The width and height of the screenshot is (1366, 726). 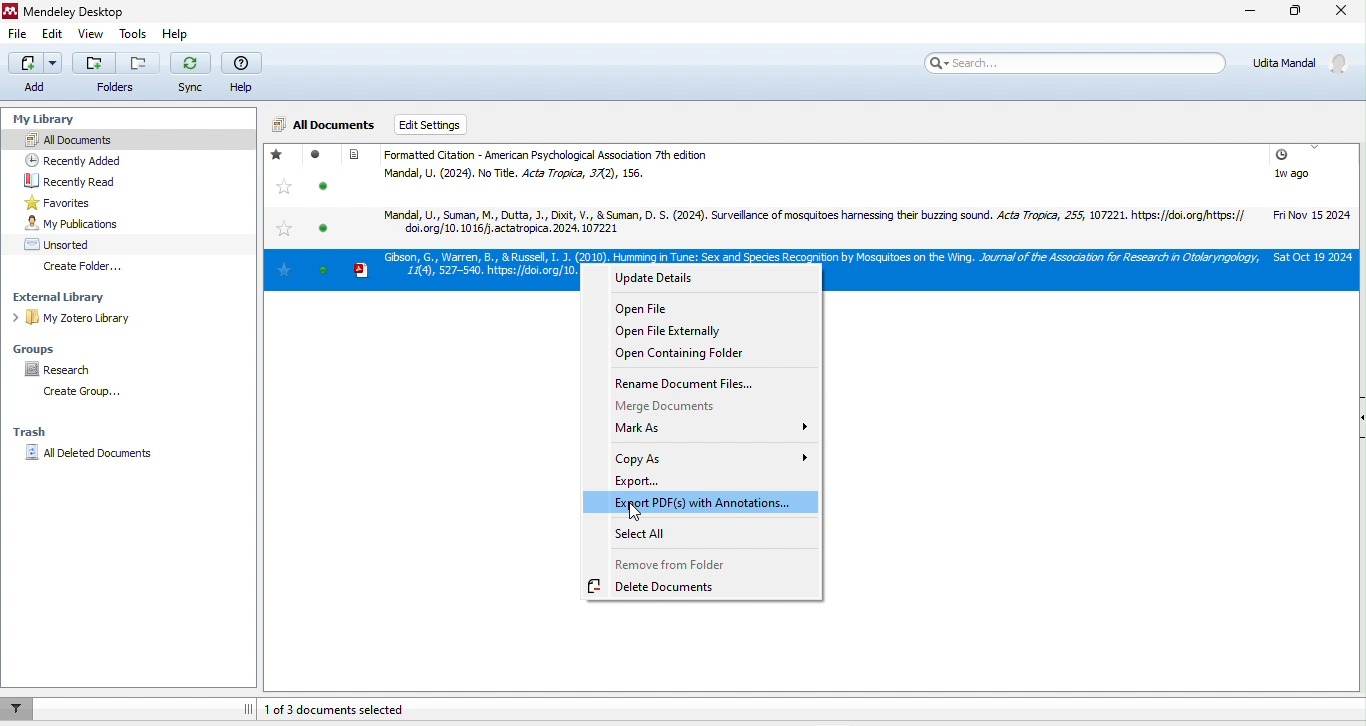 I want to click on rename document files, so click(x=686, y=385).